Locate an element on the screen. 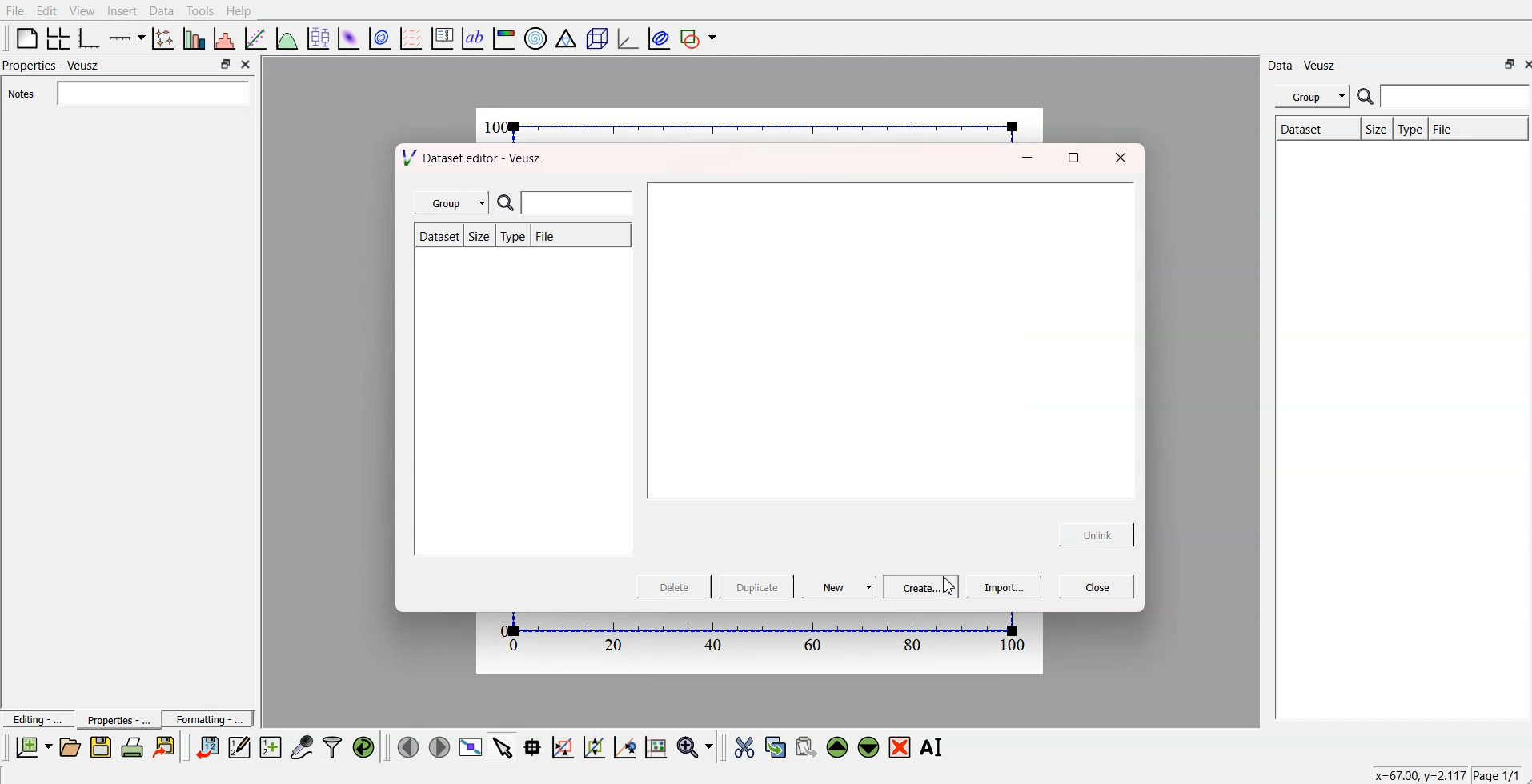 This screenshot has width=1532, height=784. Enter dataset into Veusz is located at coordinates (206, 747).